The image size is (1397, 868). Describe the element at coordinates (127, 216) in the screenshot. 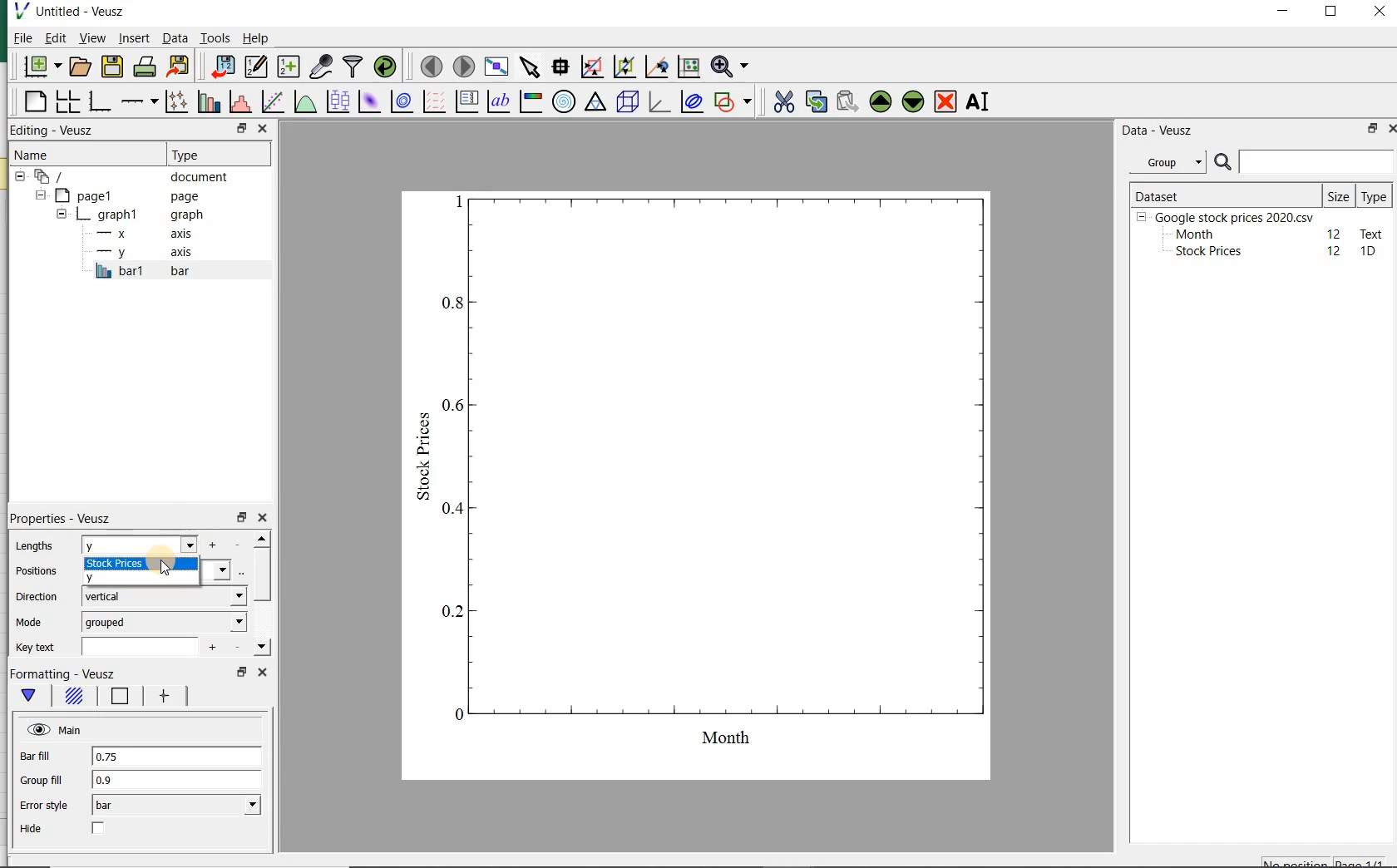

I see `graph1` at that location.